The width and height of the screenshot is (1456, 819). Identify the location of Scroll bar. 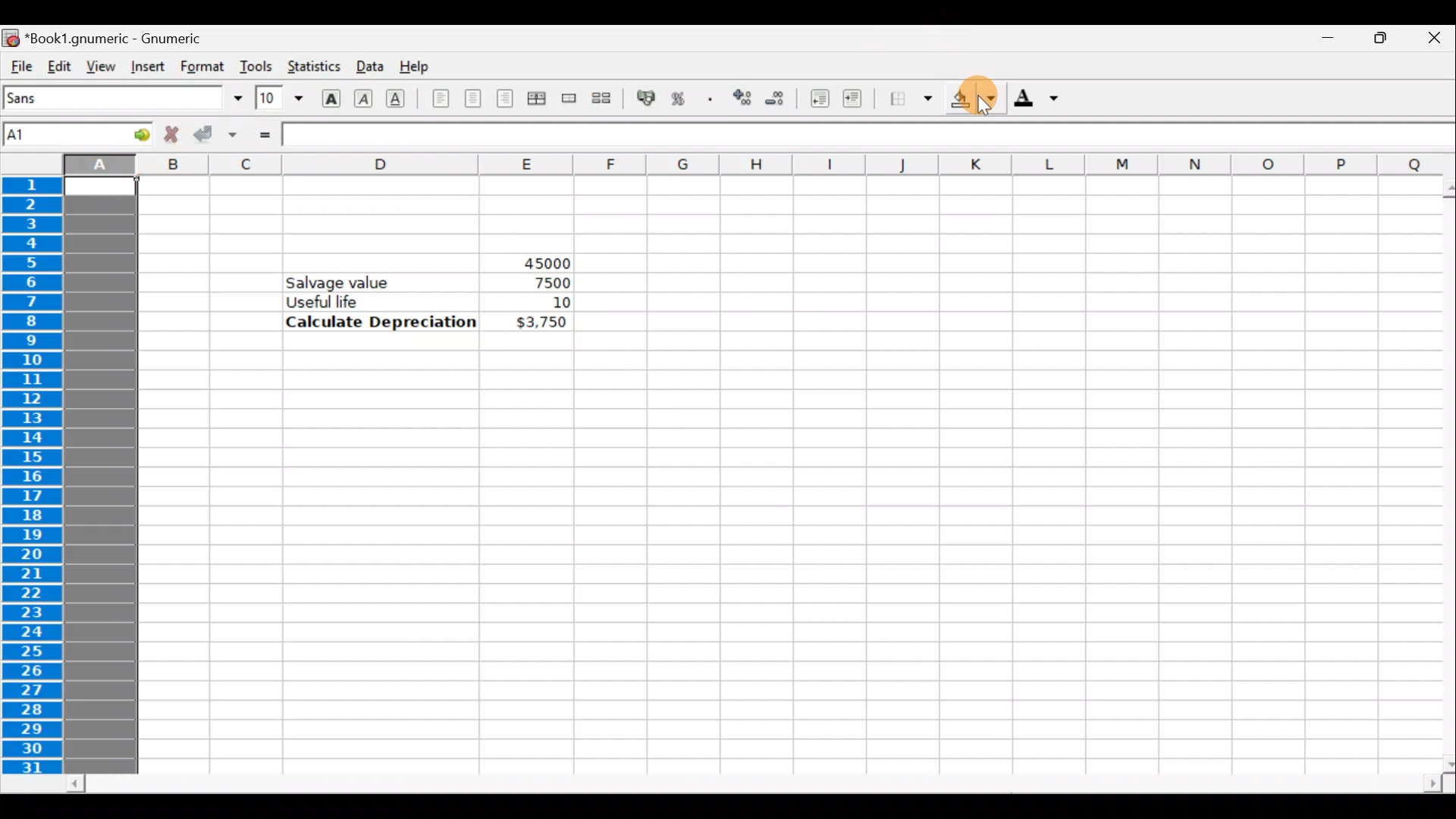
(755, 784).